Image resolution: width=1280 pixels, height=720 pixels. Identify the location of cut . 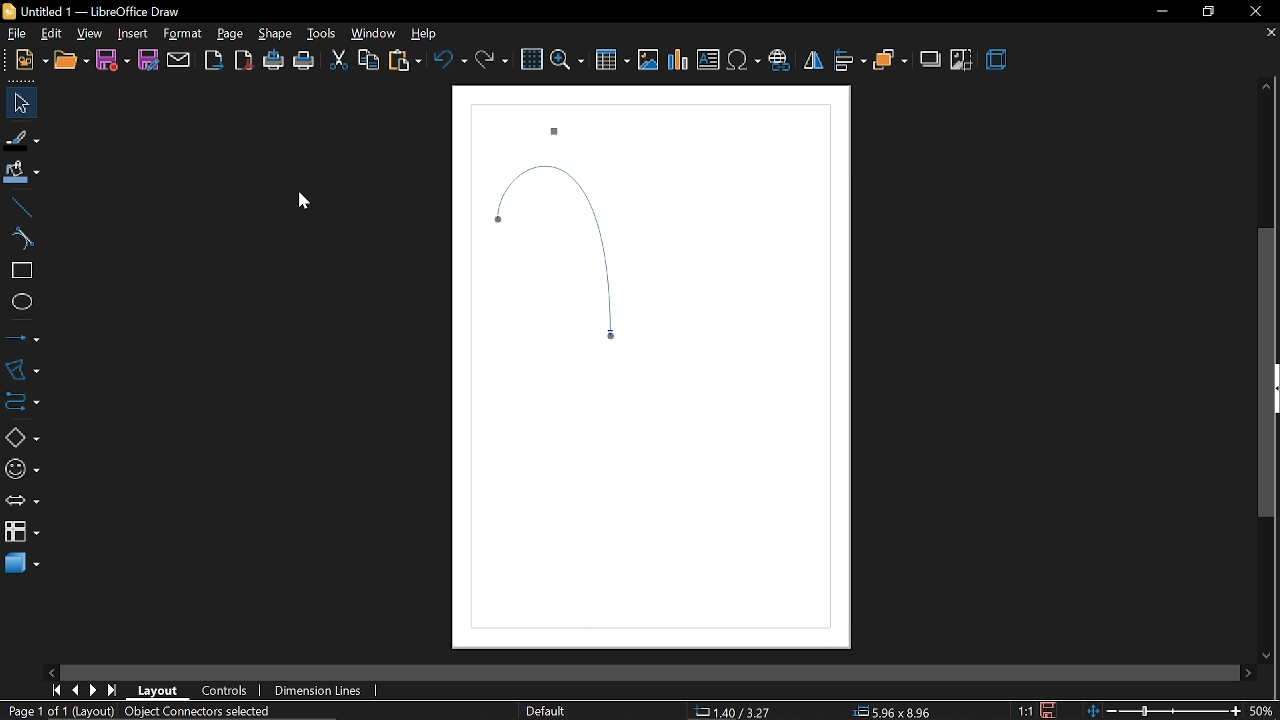
(337, 62).